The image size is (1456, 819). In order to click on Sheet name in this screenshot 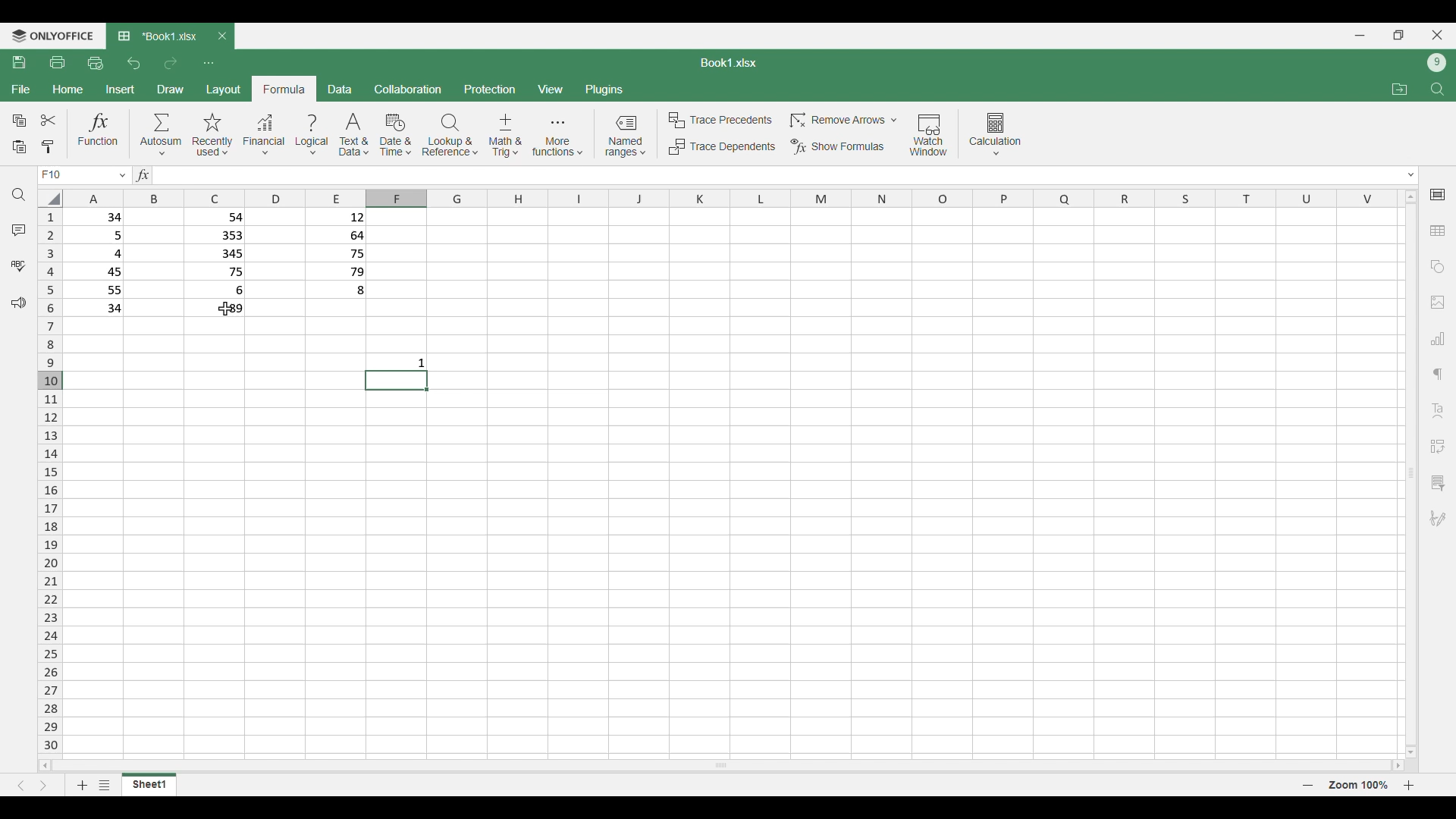, I will do `click(729, 63)`.